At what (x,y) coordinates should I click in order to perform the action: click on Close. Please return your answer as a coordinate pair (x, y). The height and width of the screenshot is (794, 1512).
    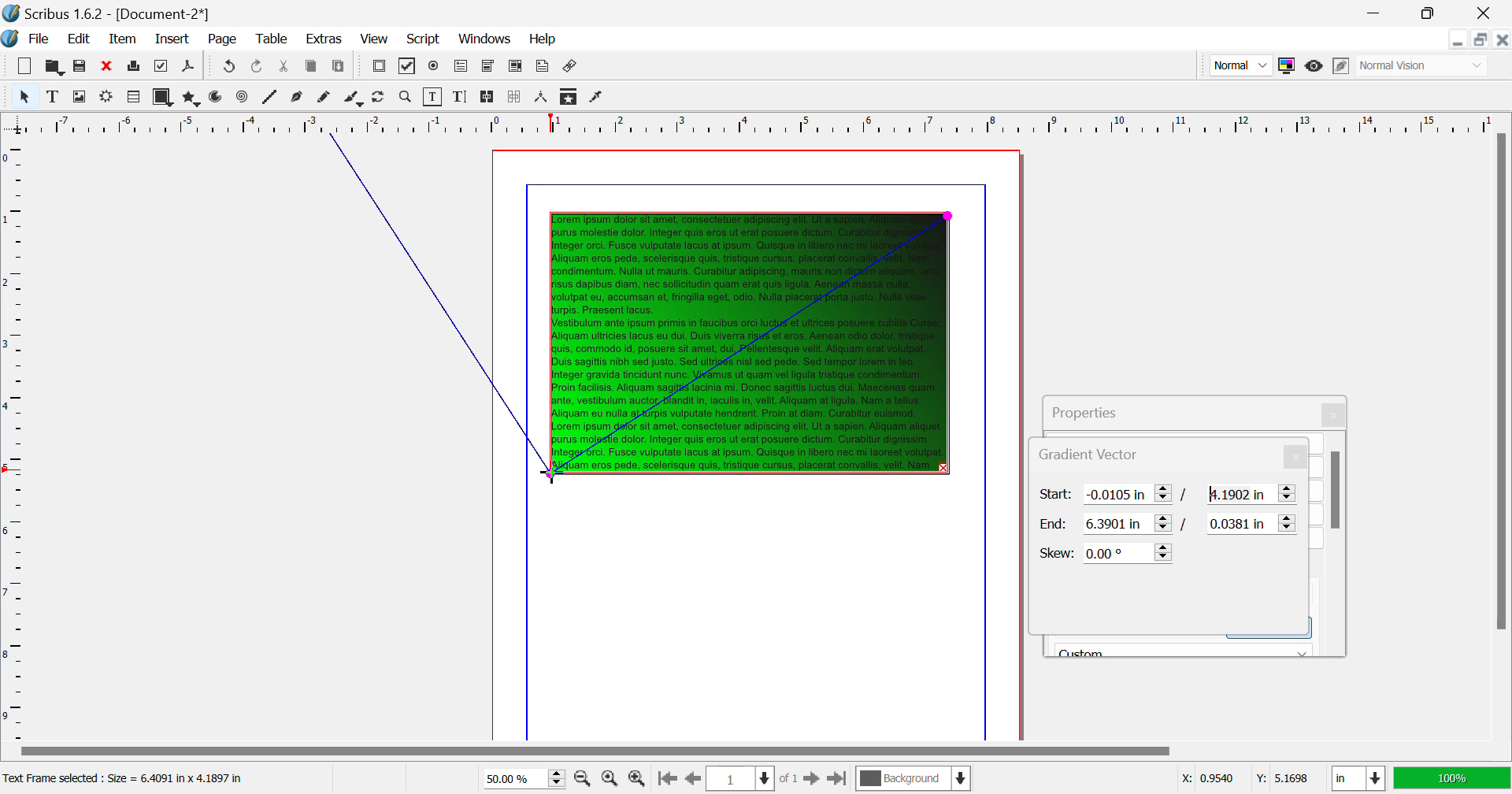
    Looking at the image, I should click on (1488, 13).